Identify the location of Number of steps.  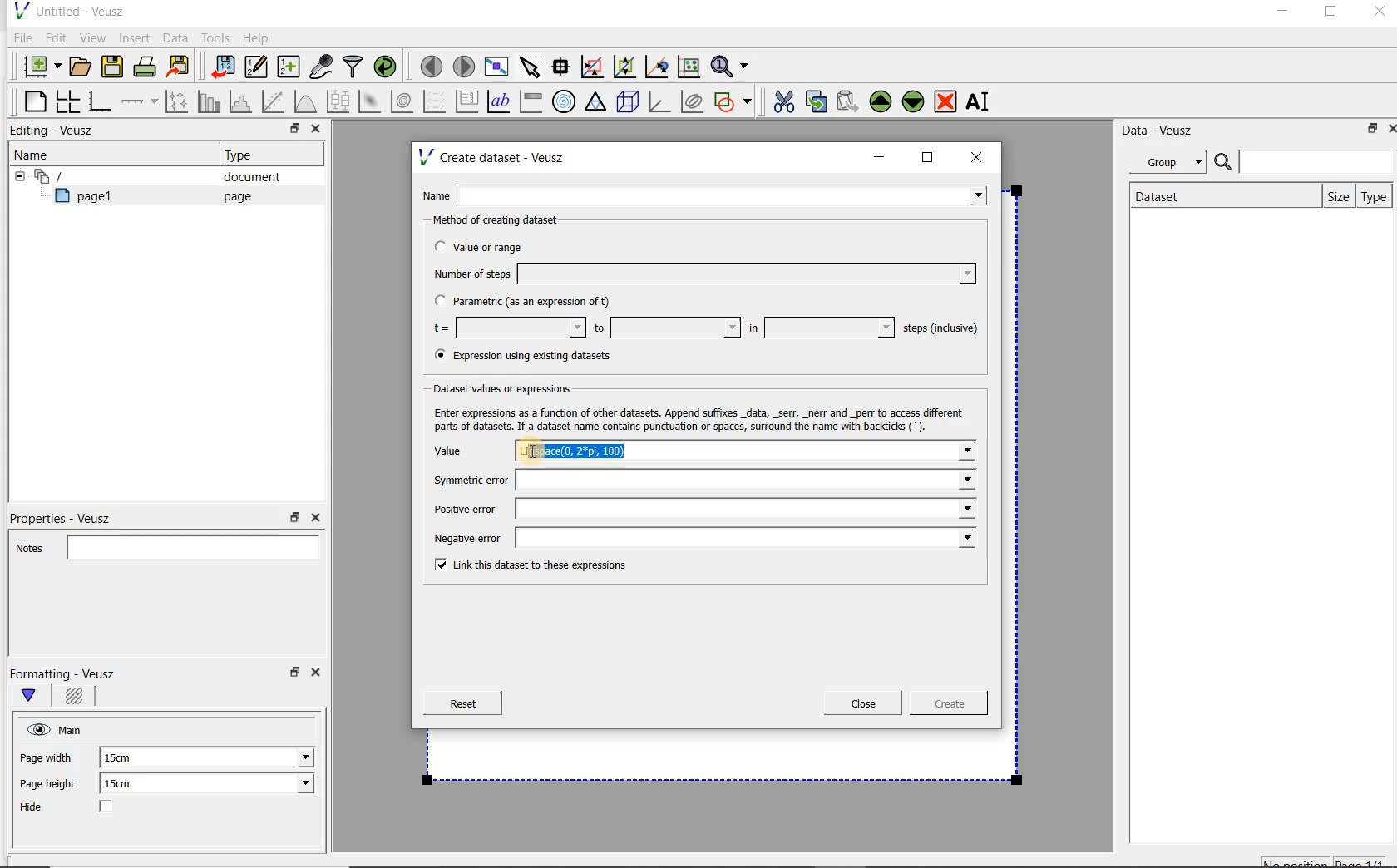
(699, 274).